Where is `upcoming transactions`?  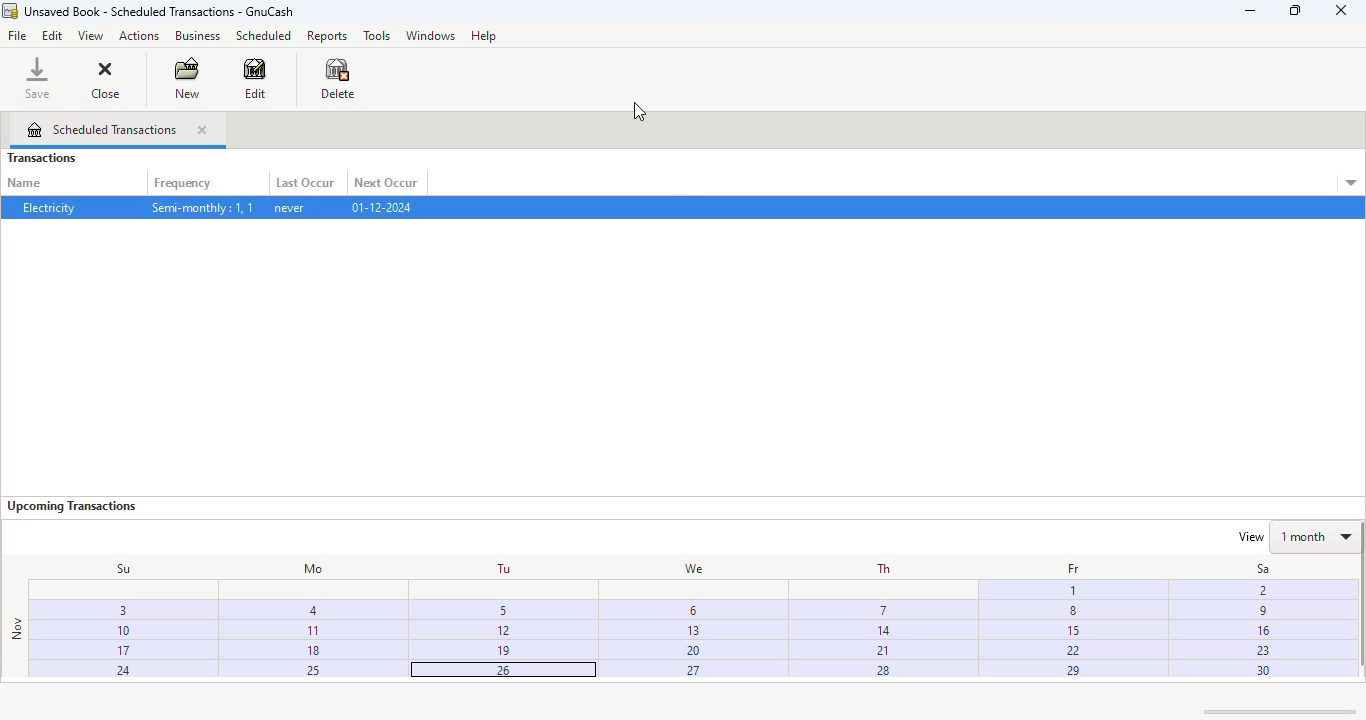 upcoming transactions is located at coordinates (71, 506).